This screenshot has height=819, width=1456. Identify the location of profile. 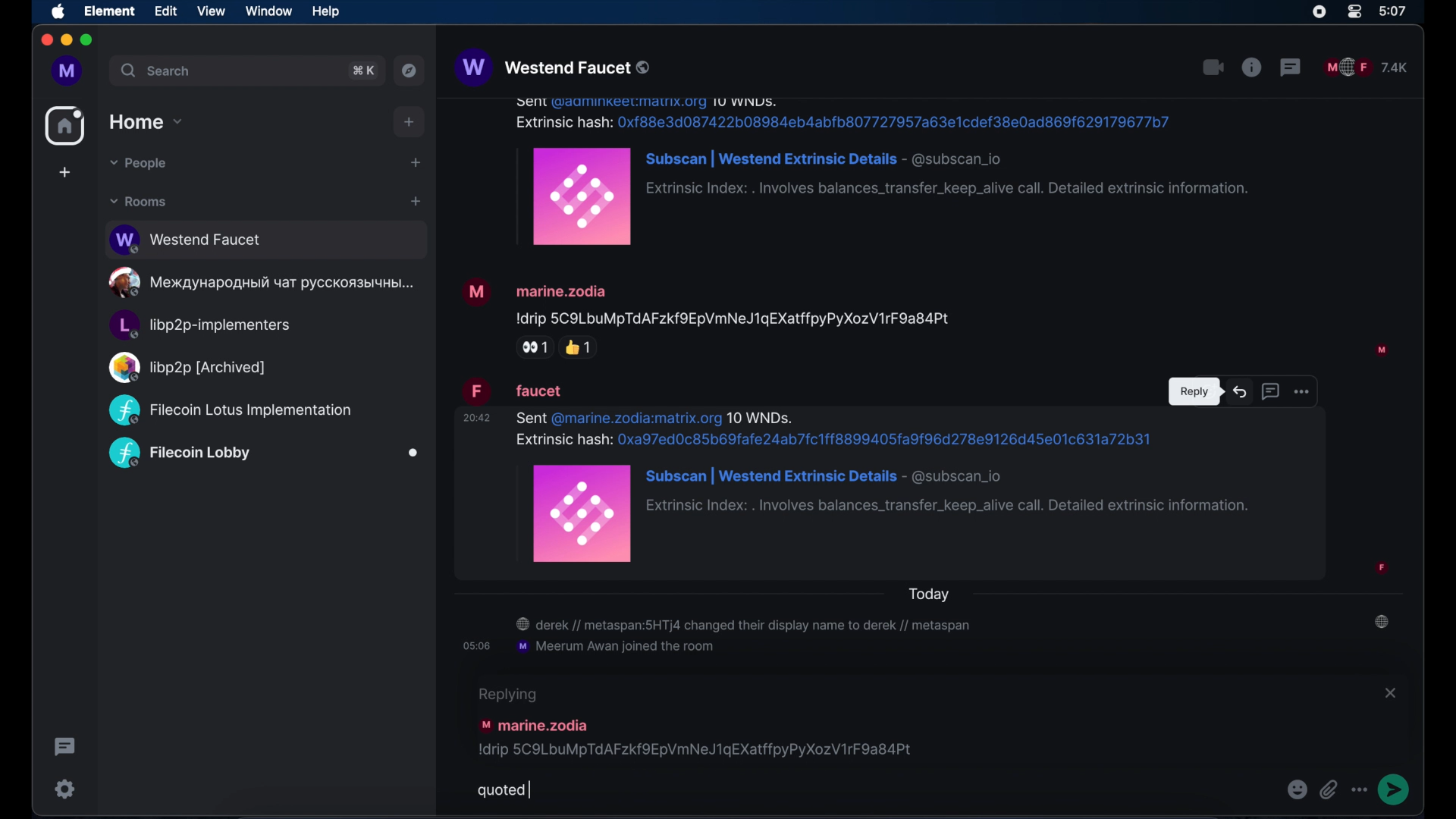
(66, 71).